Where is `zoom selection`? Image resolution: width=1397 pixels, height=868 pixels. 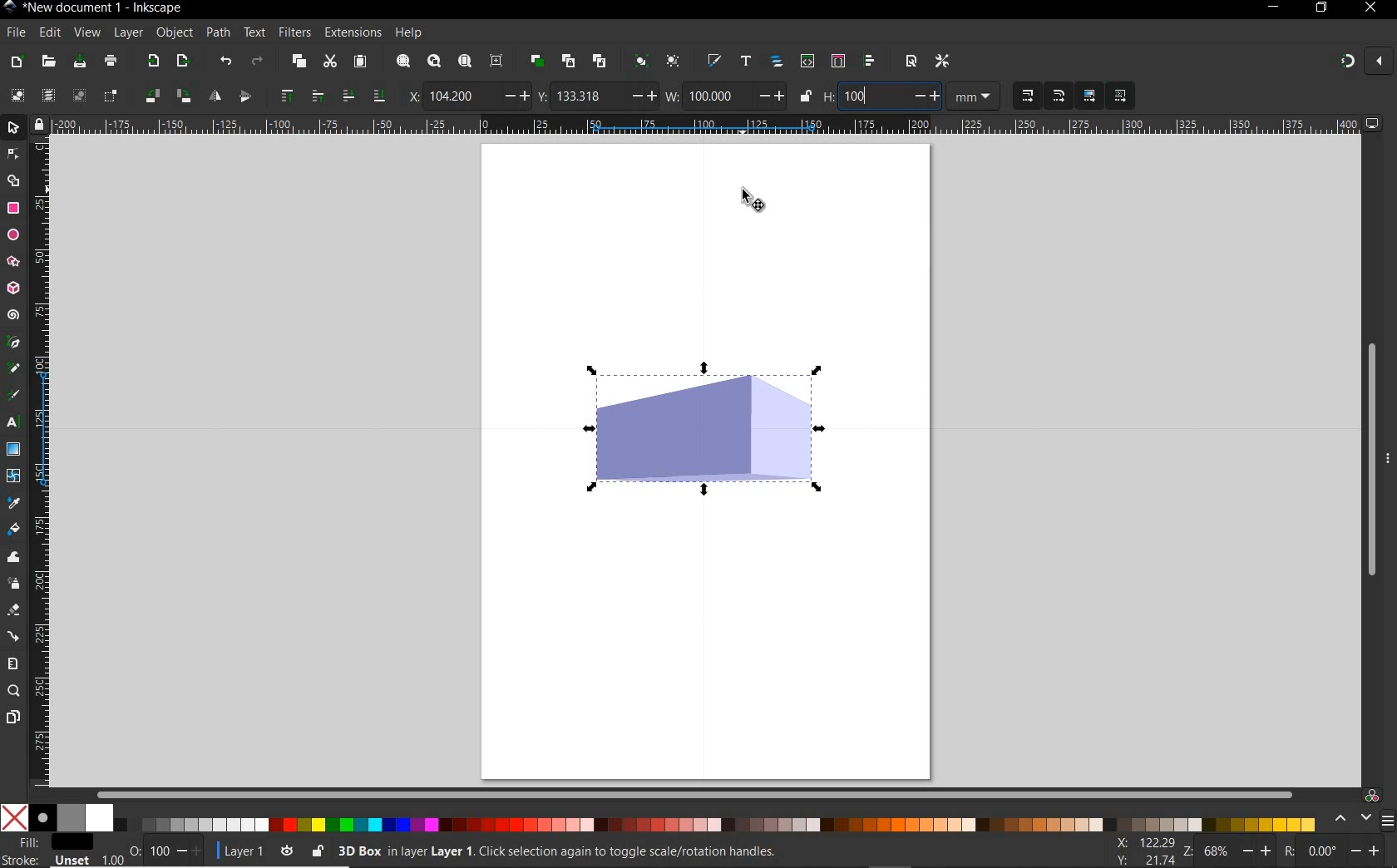
zoom selection is located at coordinates (402, 61).